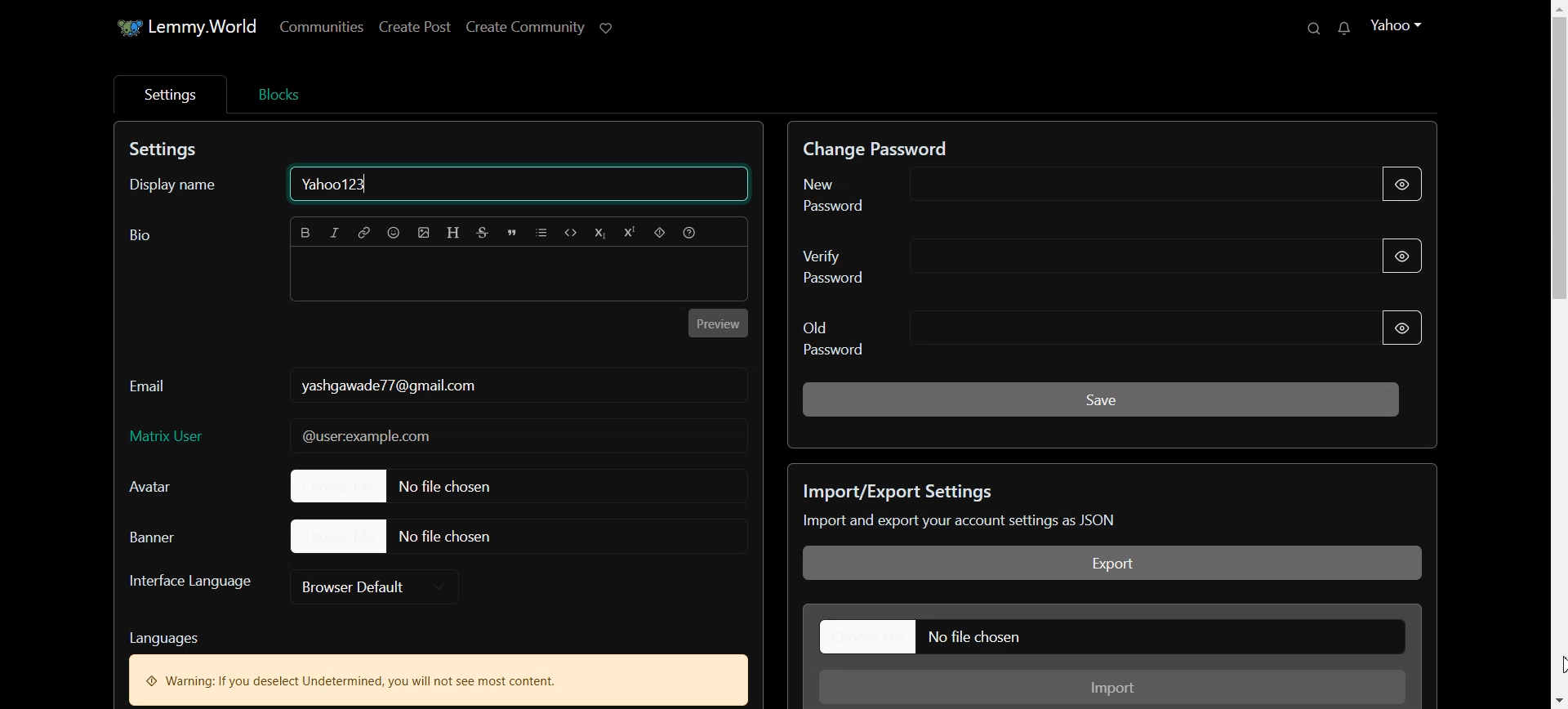 The width and height of the screenshot is (1568, 709). I want to click on Q, so click(1294, 29).